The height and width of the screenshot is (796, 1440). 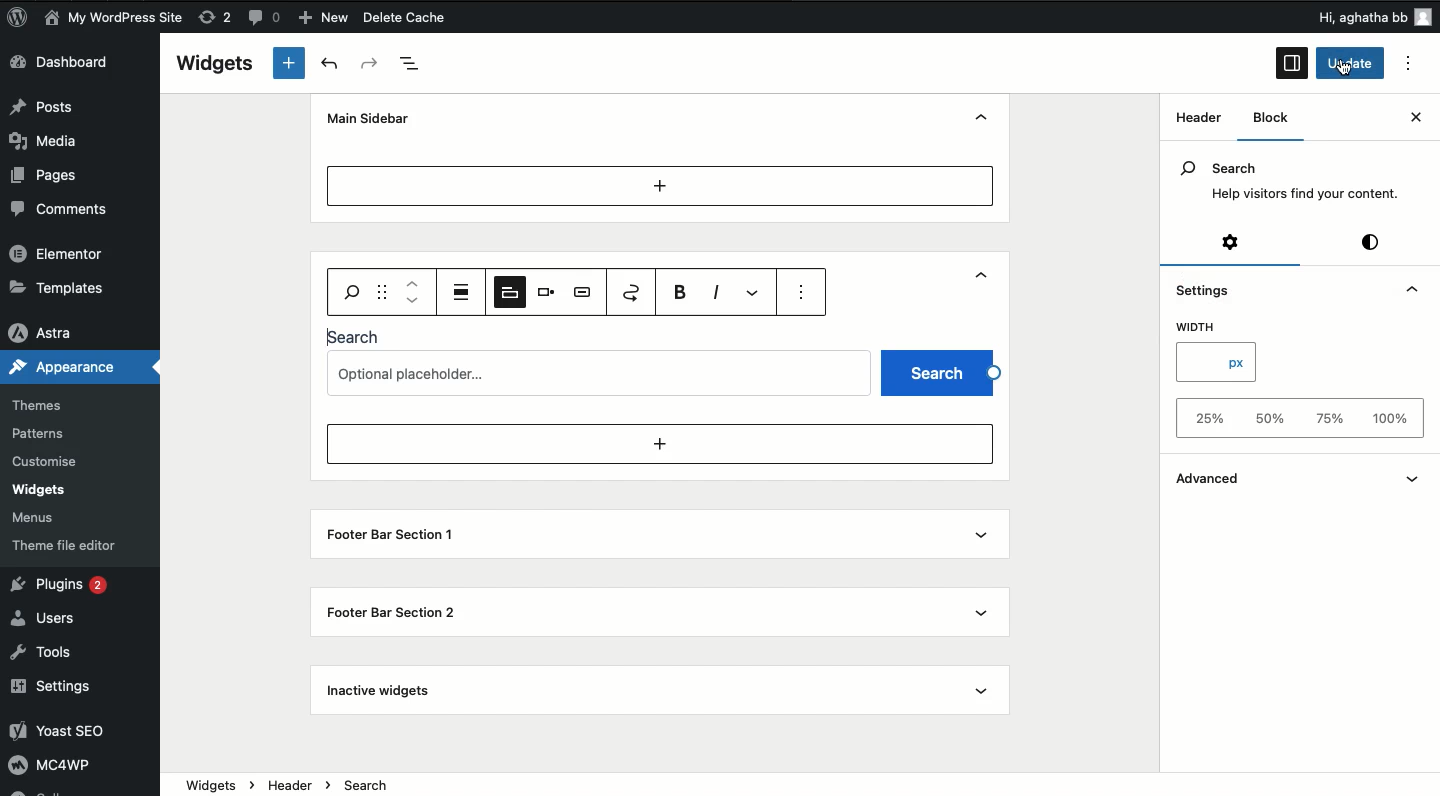 I want to click on Appearance, so click(x=67, y=367).